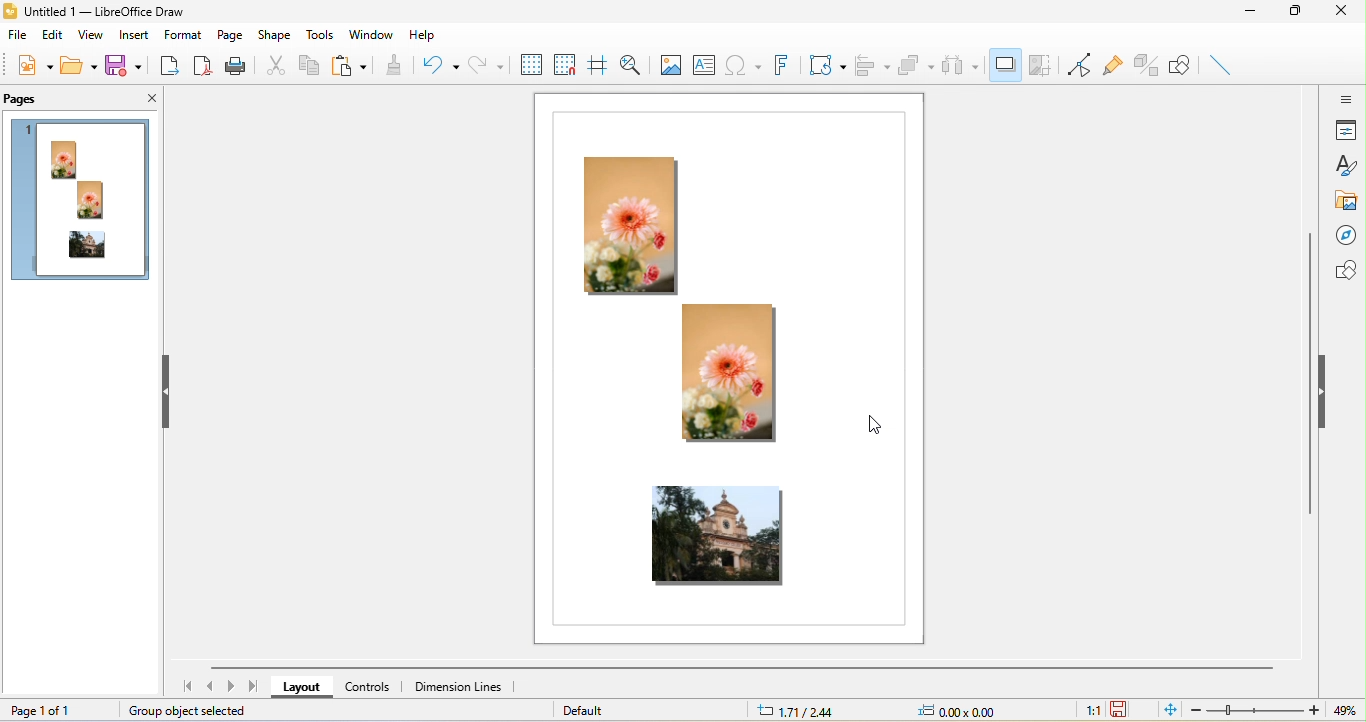  What do you see at coordinates (53, 709) in the screenshot?
I see `page 1 of 1` at bounding box center [53, 709].